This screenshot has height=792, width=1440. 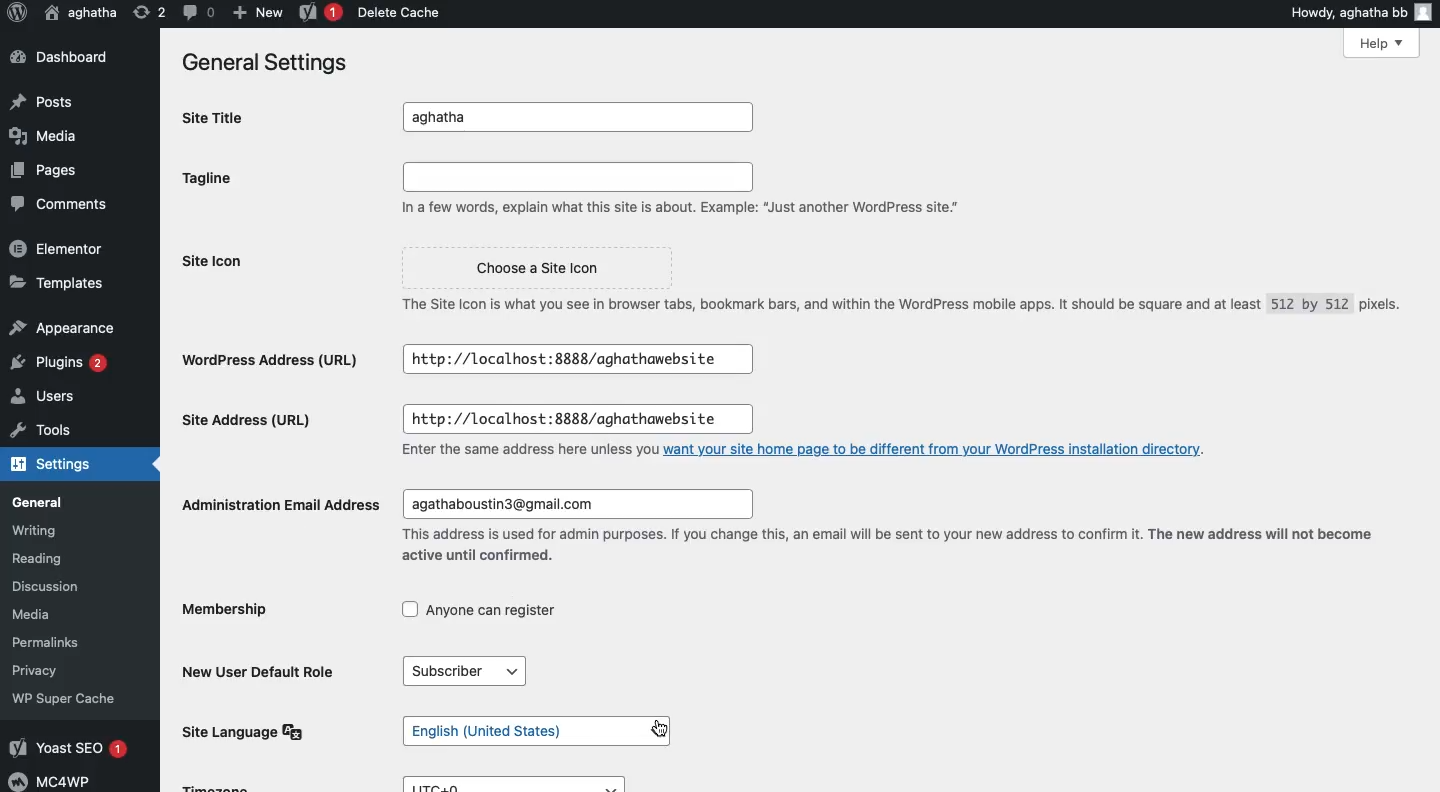 I want to click on Tools, so click(x=37, y=431).